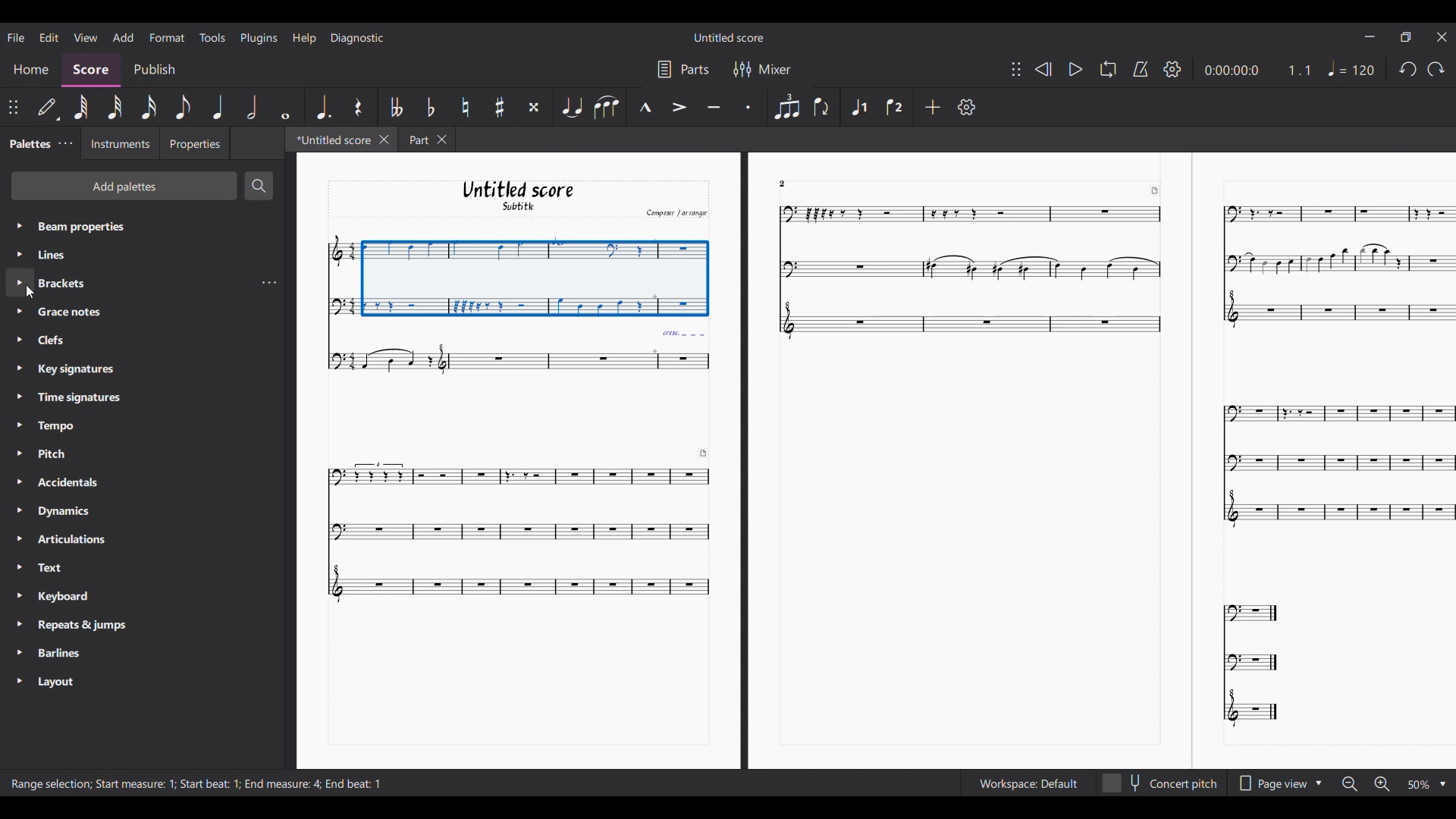  I want to click on Add, so click(123, 38).